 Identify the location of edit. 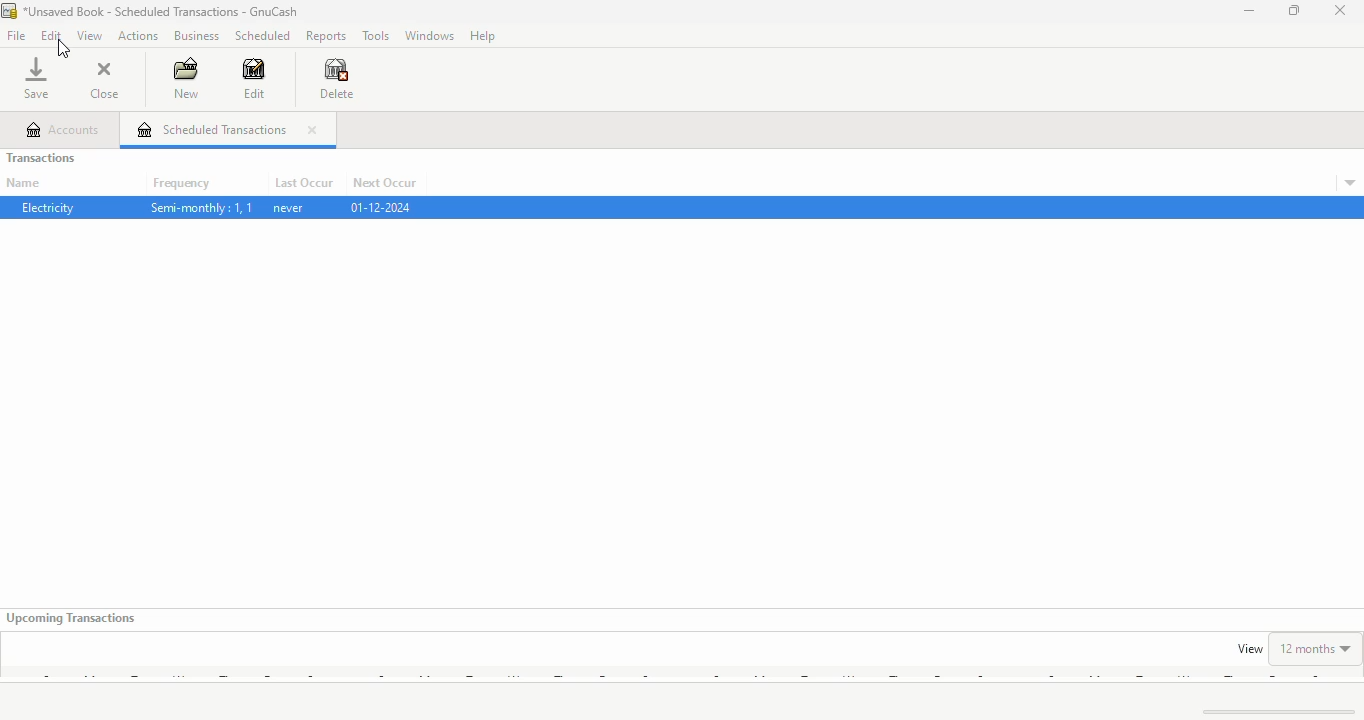
(254, 78).